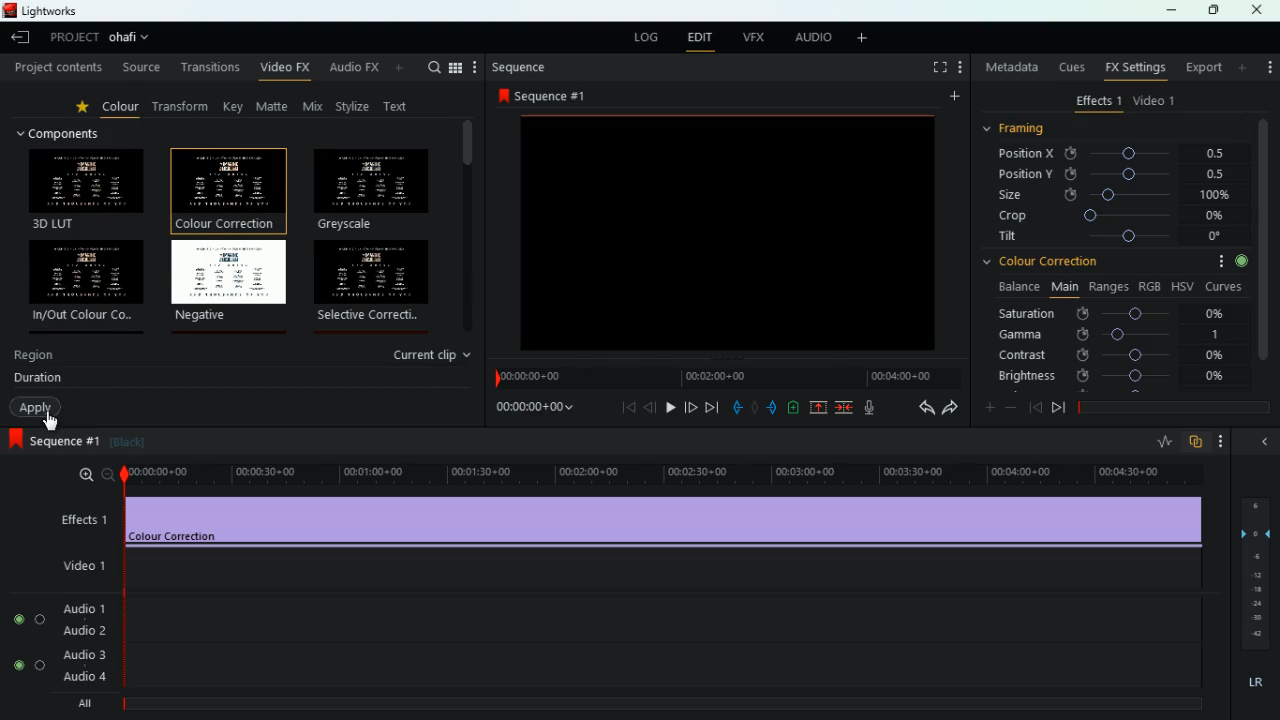 The height and width of the screenshot is (720, 1280). What do you see at coordinates (86, 629) in the screenshot?
I see `audio 2` at bounding box center [86, 629].